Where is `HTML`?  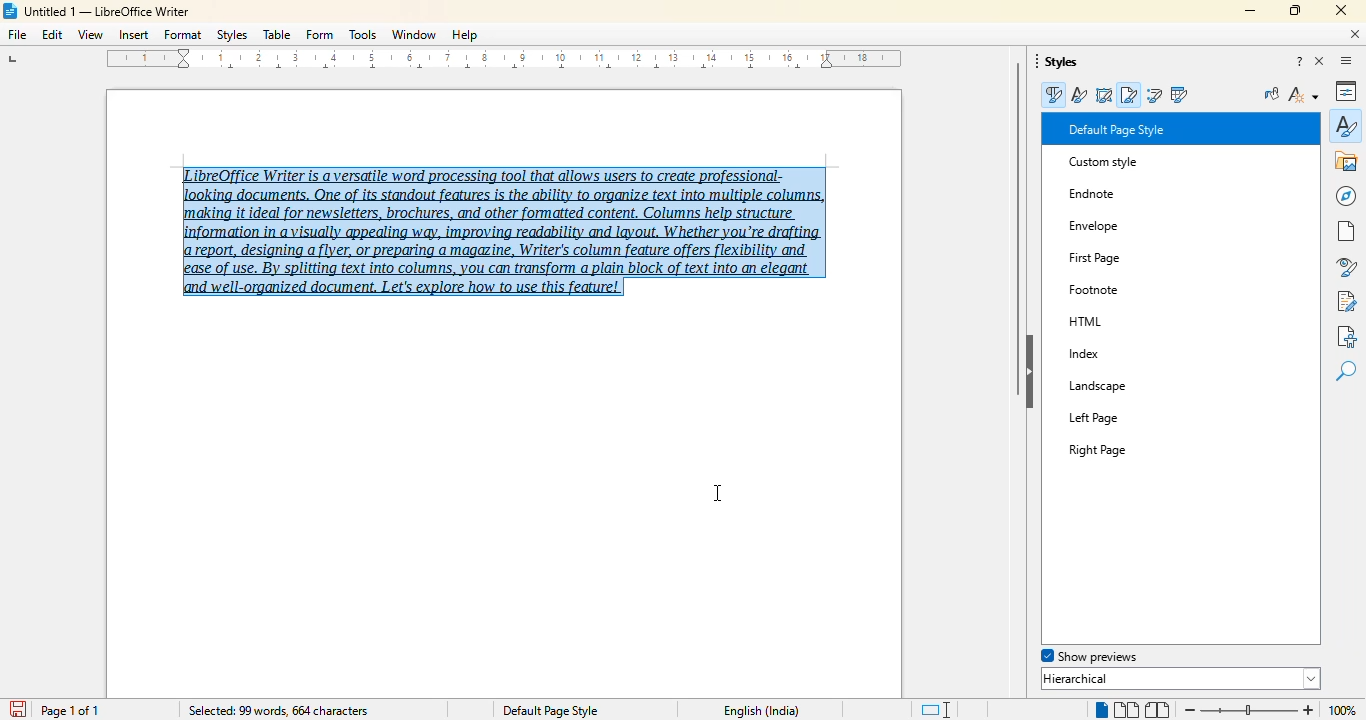 HTML is located at coordinates (1108, 286).